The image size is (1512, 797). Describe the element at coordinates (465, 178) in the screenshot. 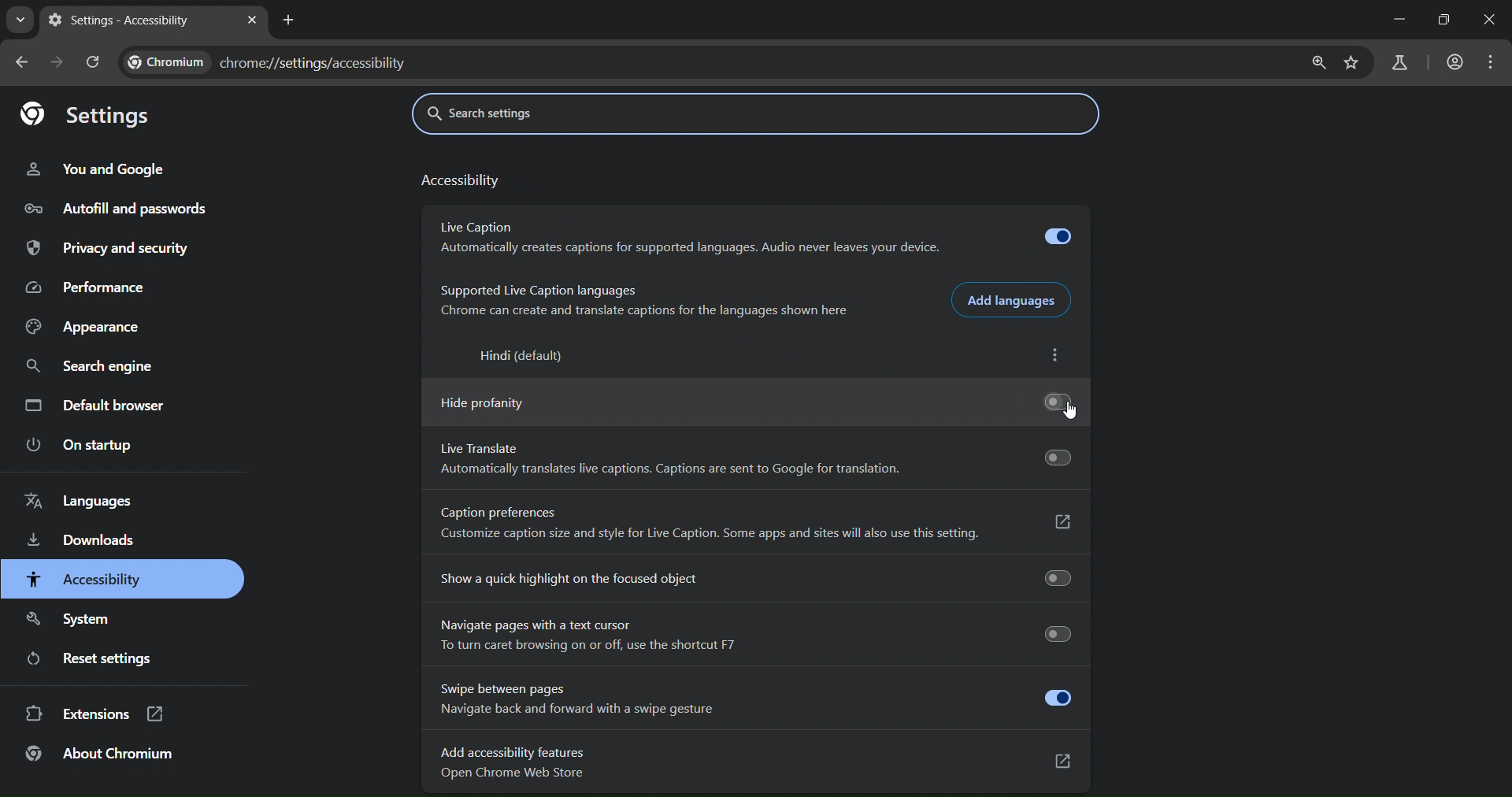

I see `accessibility` at that location.